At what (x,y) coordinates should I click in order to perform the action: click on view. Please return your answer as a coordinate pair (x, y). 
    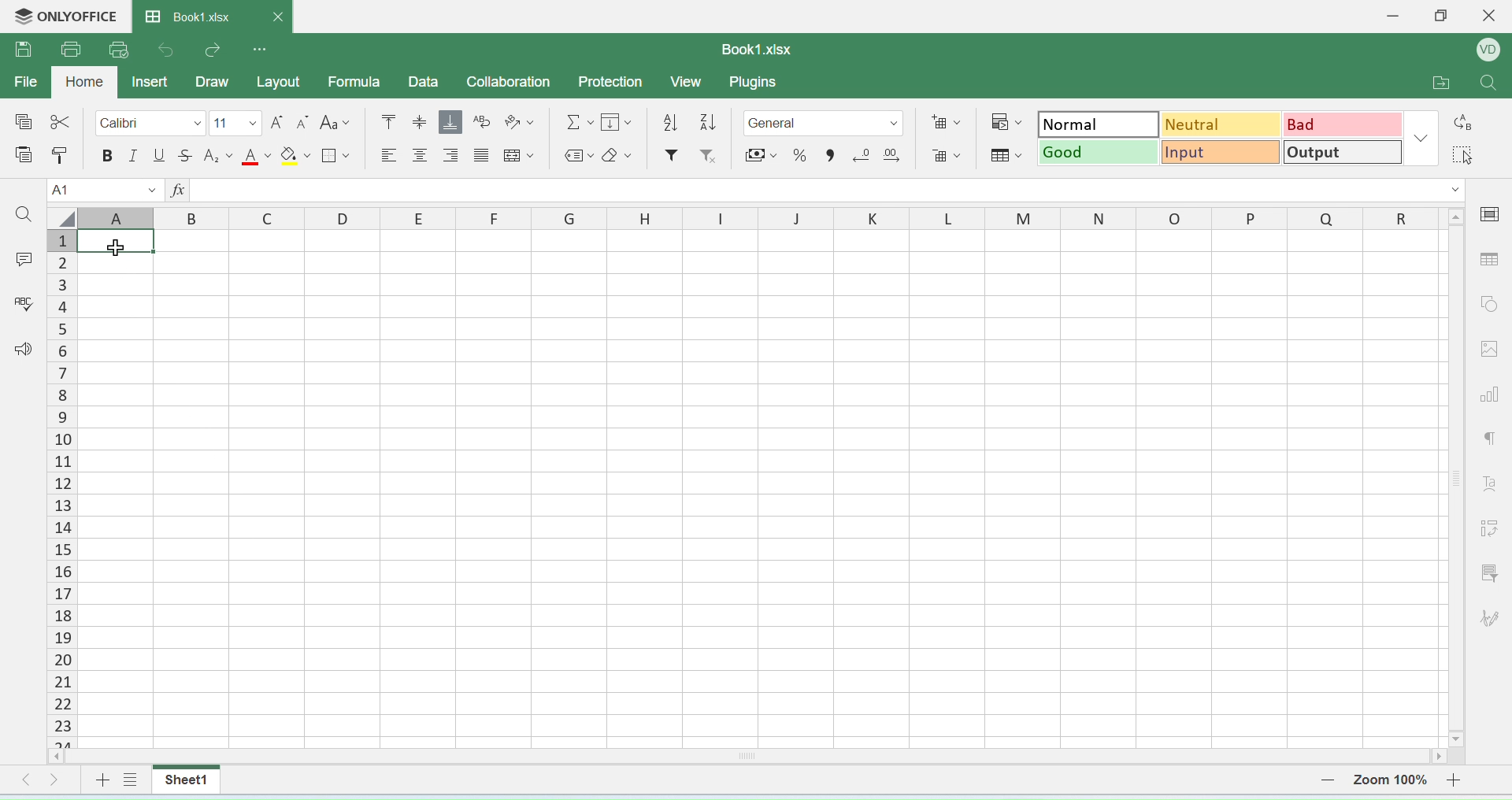
    Looking at the image, I should click on (684, 82).